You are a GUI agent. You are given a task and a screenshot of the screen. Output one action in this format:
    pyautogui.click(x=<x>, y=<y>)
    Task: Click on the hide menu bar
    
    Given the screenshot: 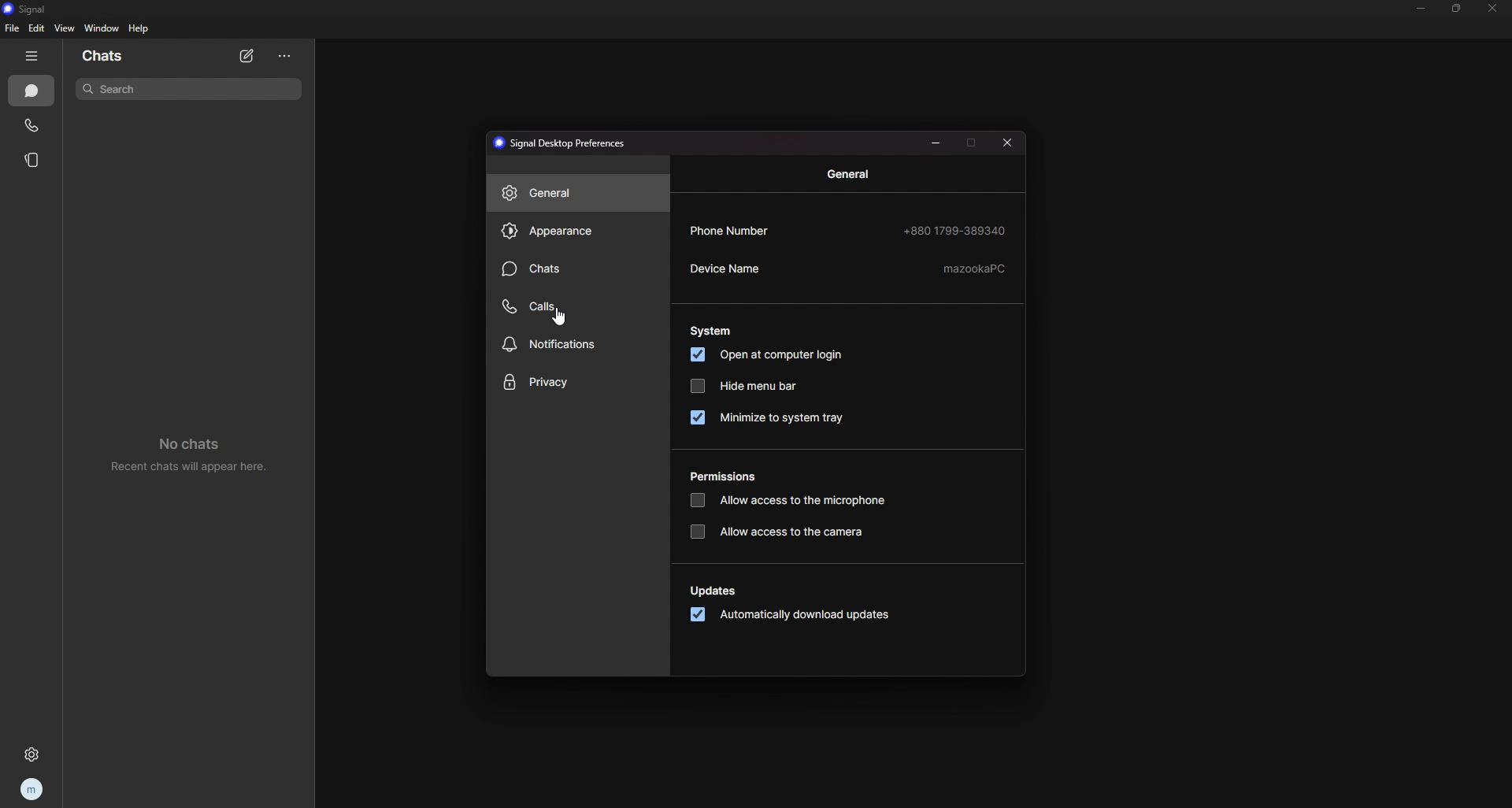 What is the action you would take?
    pyautogui.click(x=746, y=387)
    